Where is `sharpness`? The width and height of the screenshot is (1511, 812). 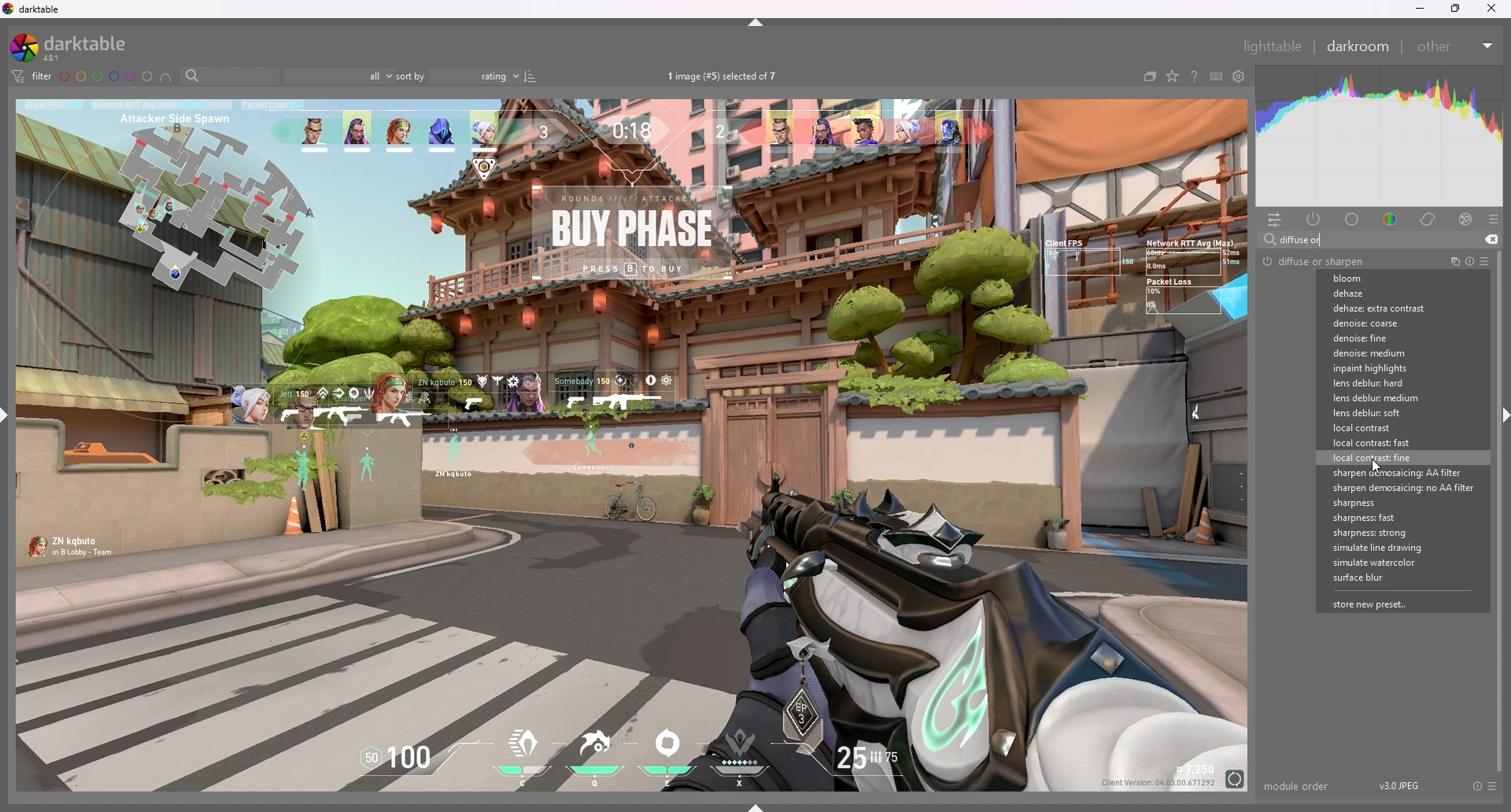 sharpness is located at coordinates (1369, 503).